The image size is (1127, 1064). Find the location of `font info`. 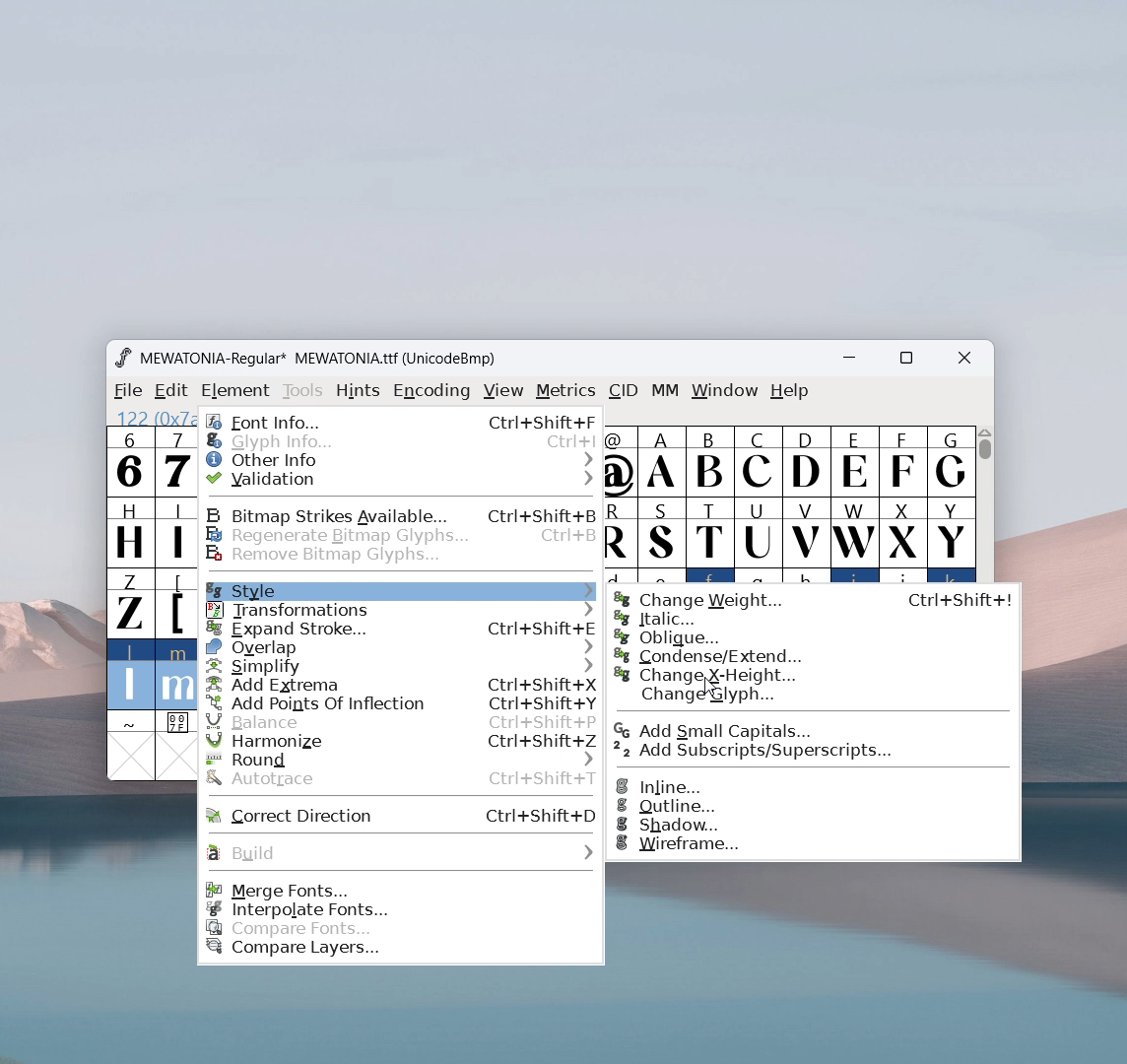

font info is located at coordinates (401, 420).